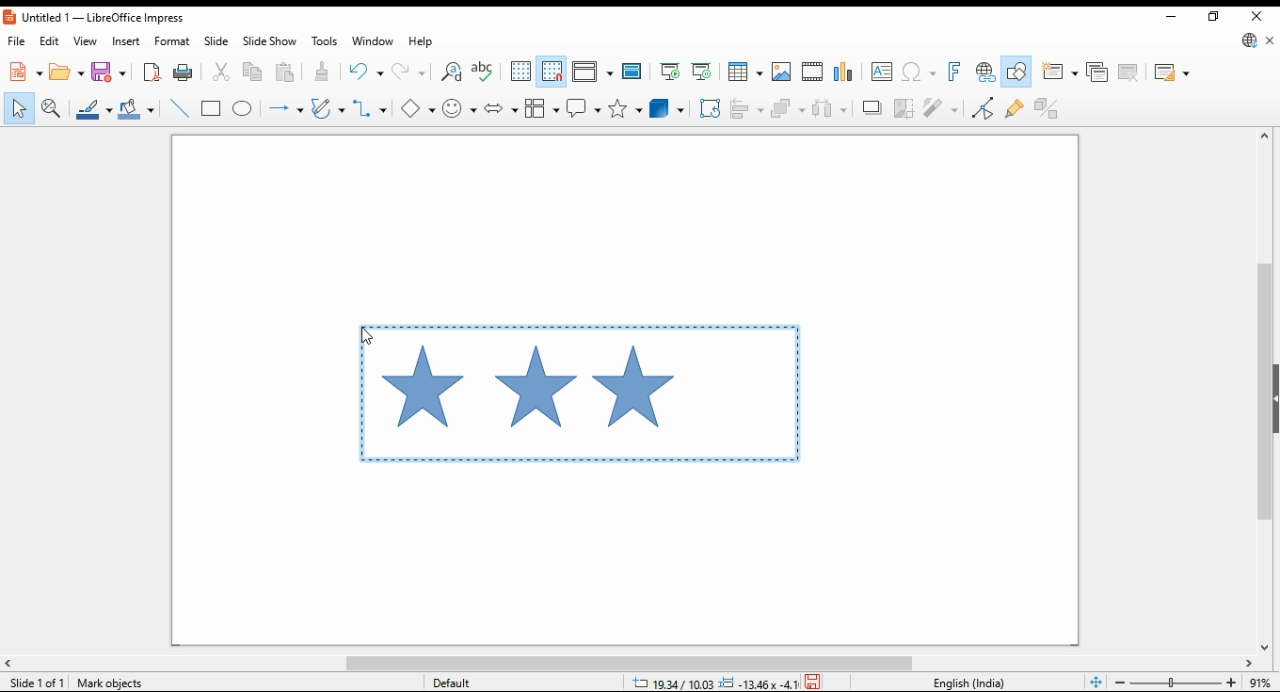 This screenshot has height=692, width=1280. Describe the element at coordinates (984, 71) in the screenshot. I see `insert hyperlink` at that location.